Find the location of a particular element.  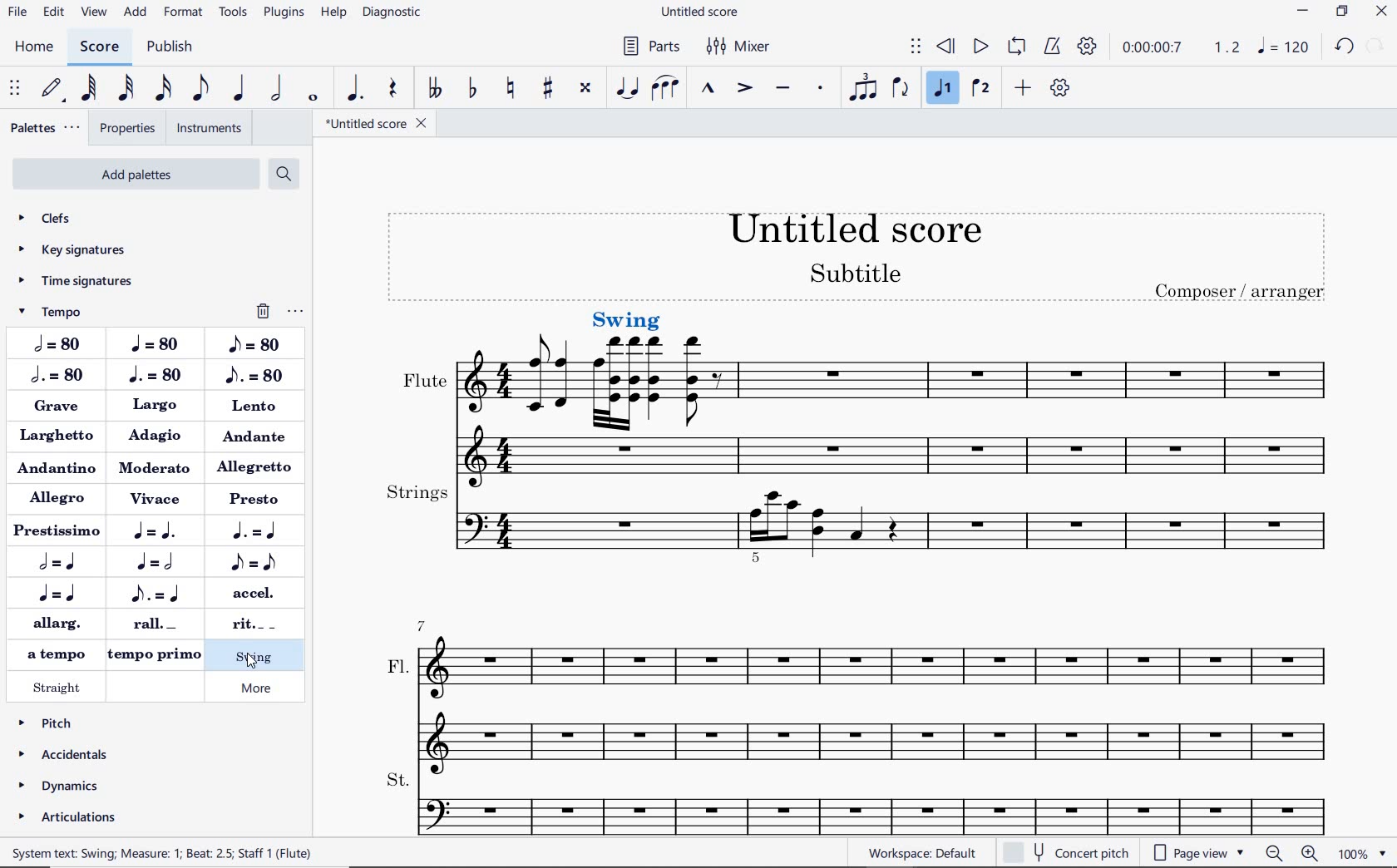

64TH NOTE is located at coordinates (90, 87).